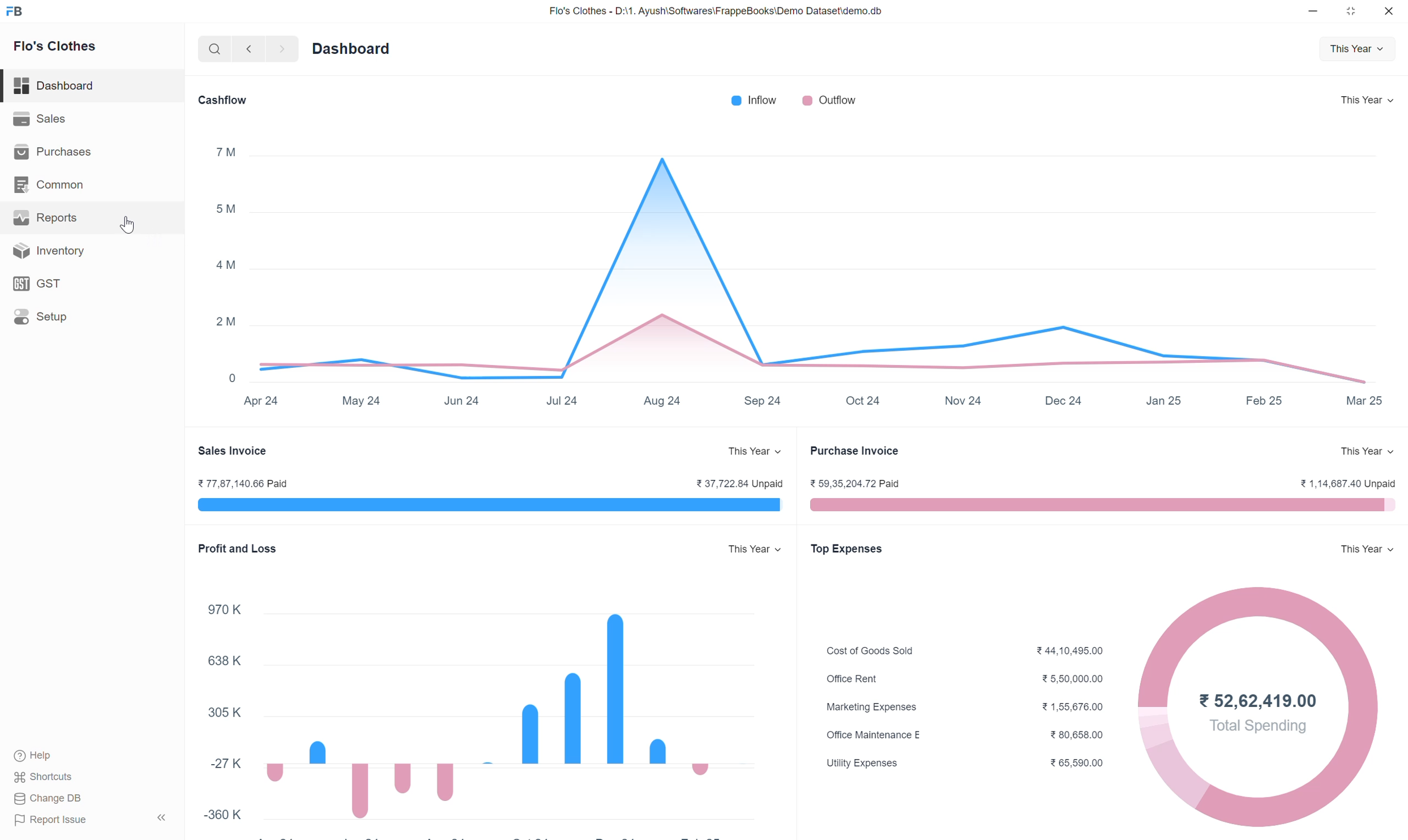  Describe the element at coordinates (862, 735) in the screenshot. I see `Office Maintenance E` at that location.